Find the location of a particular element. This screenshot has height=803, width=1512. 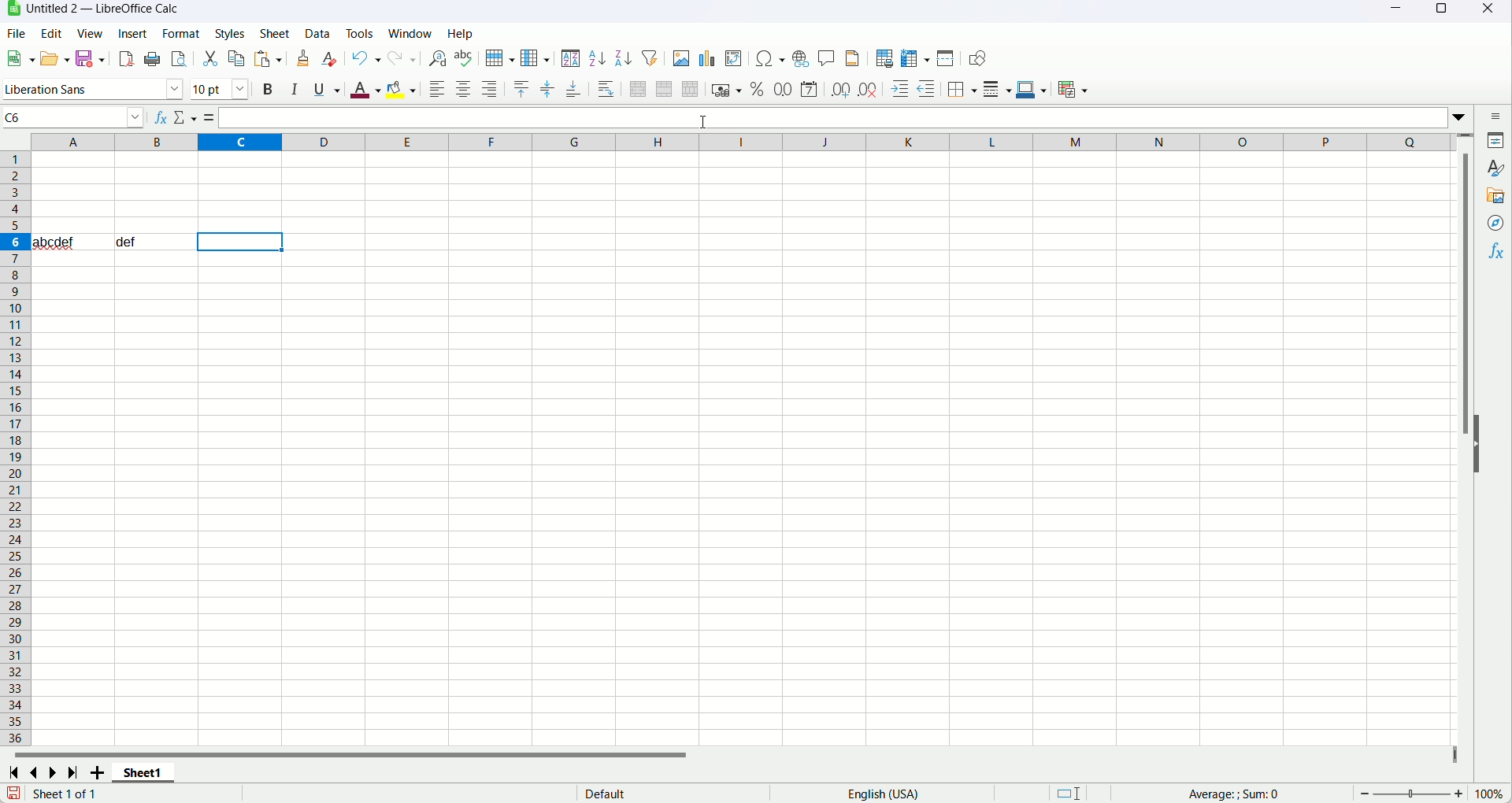

align right is located at coordinates (489, 89).